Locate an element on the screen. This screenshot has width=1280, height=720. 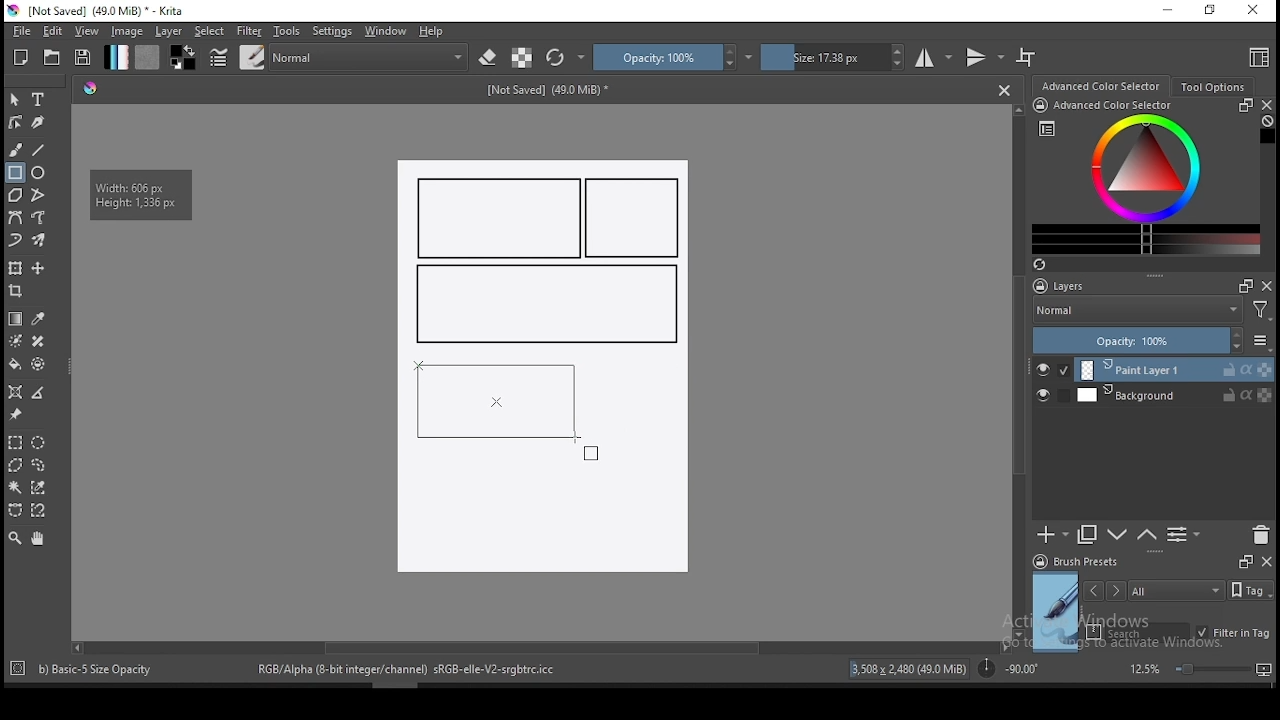
bezier curve selection tool is located at coordinates (15, 511).